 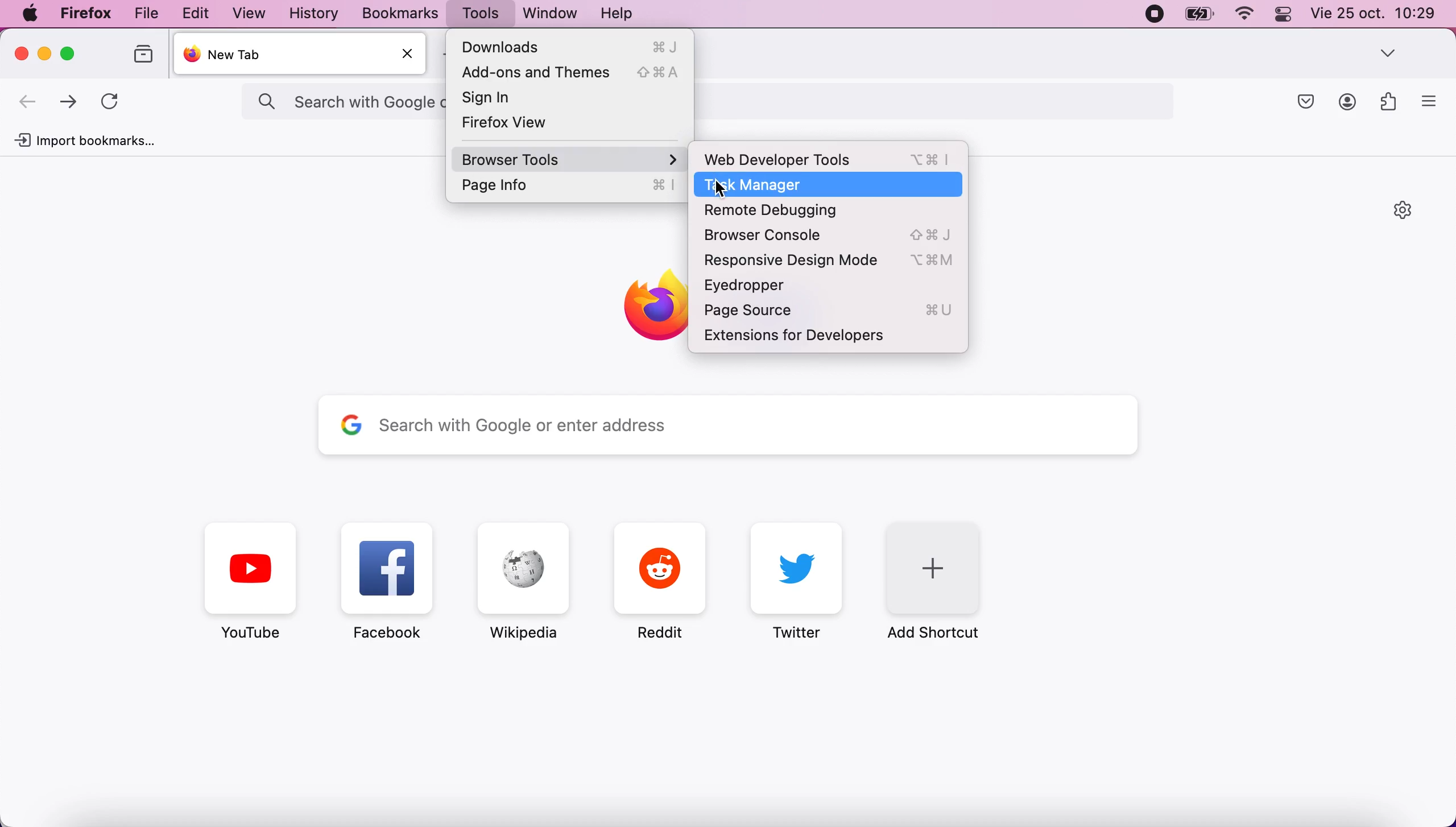 What do you see at coordinates (1247, 15) in the screenshot?
I see `Wifi` at bounding box center [1247, 15].